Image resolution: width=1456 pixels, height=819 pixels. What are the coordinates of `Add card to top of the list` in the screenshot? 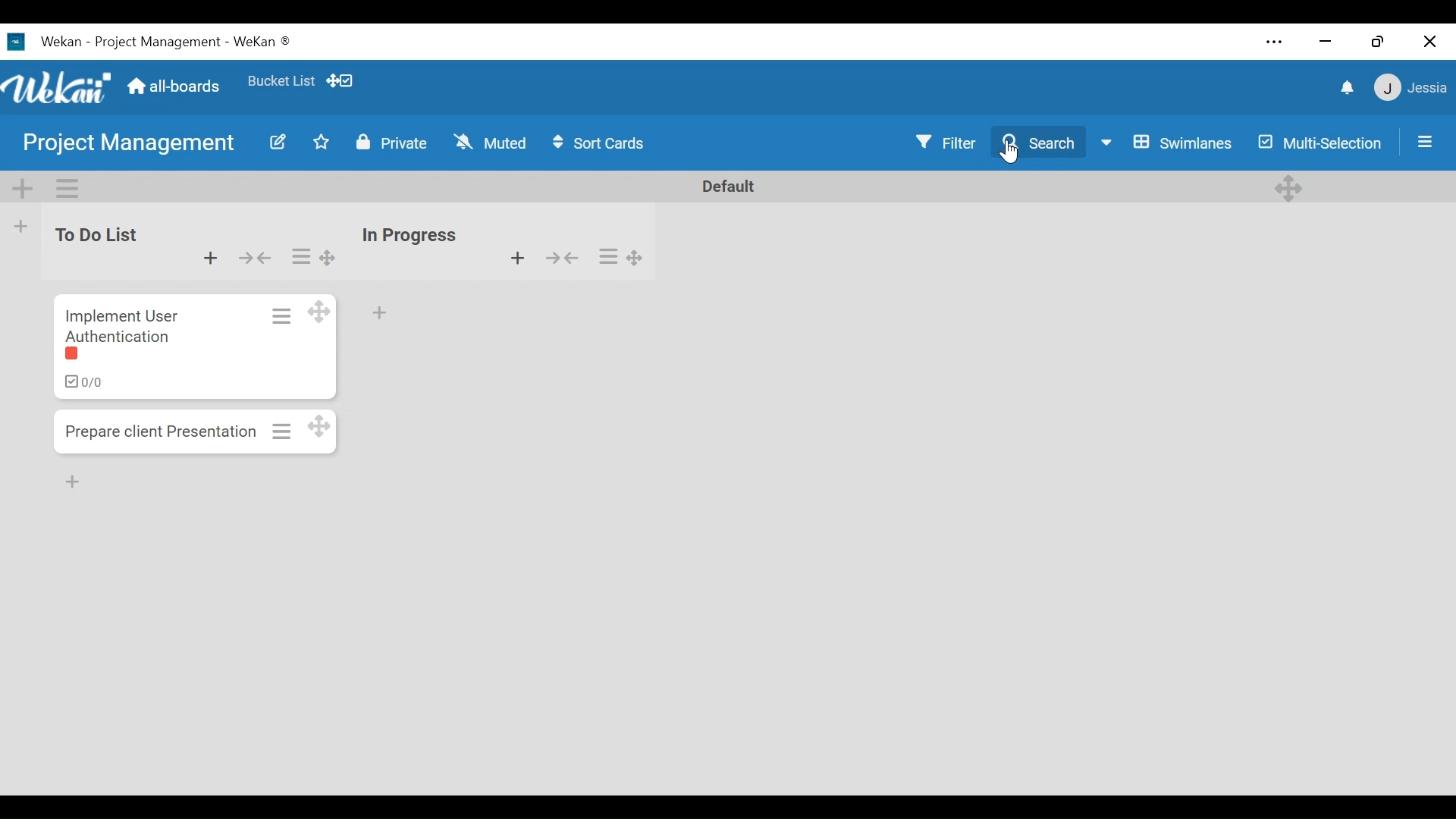 It's located at (207, 255).